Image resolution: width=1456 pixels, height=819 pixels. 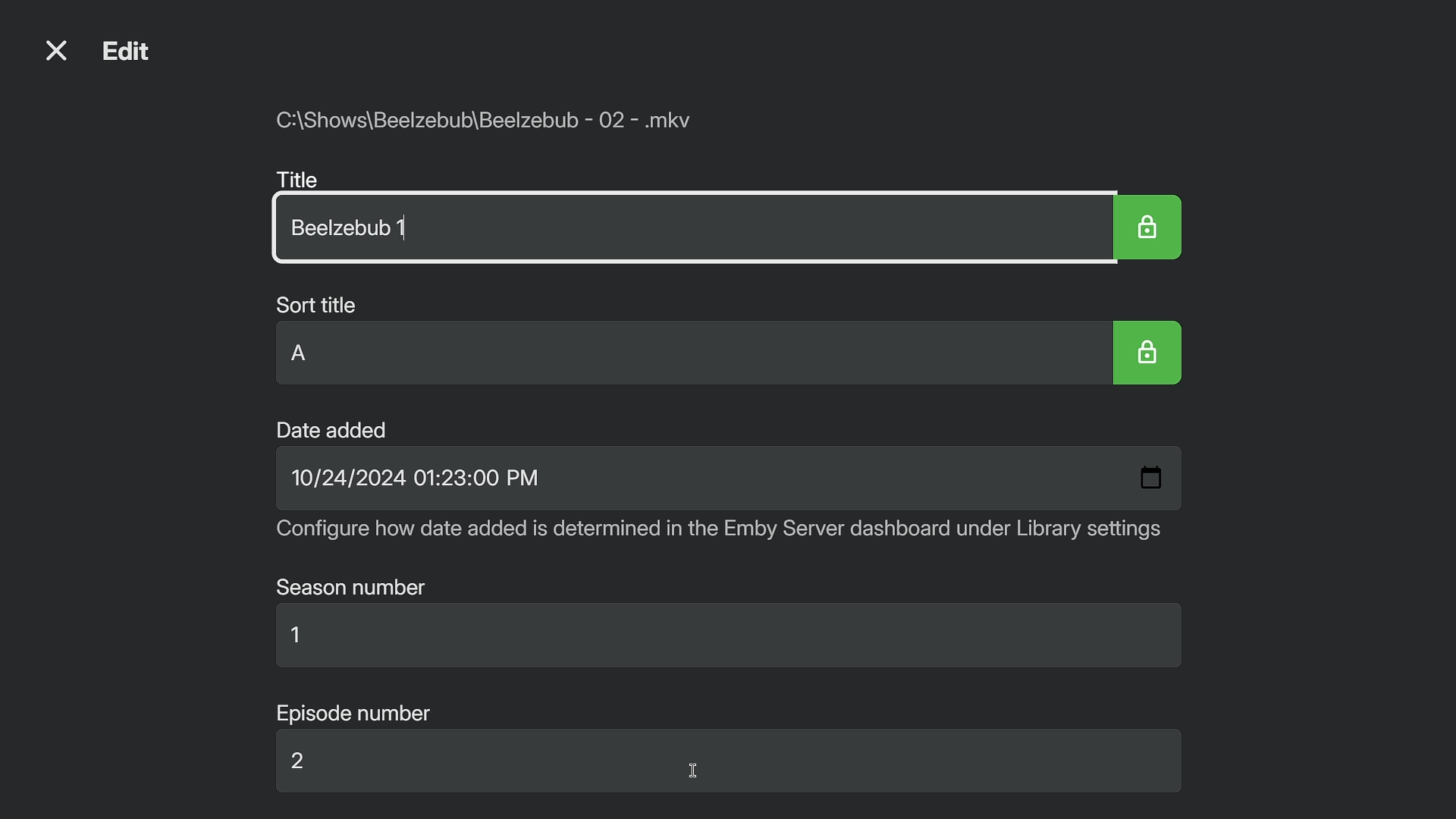 What do you see at coordinates (333, 428) in the screenshot?
I see `Date added` at bounding box center [333, 428].